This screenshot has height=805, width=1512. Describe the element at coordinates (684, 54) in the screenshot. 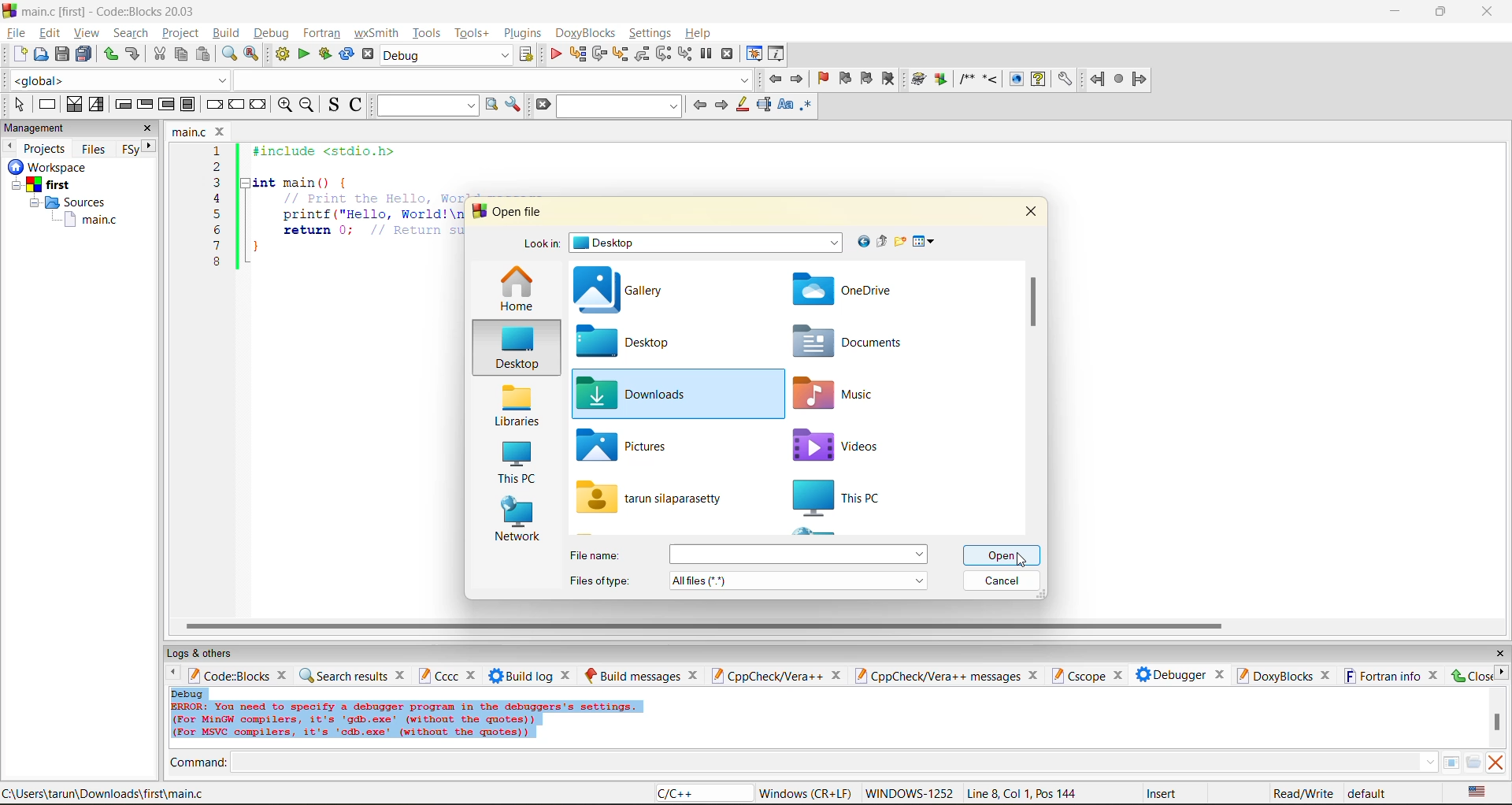

I see `step into instruction` at that location.